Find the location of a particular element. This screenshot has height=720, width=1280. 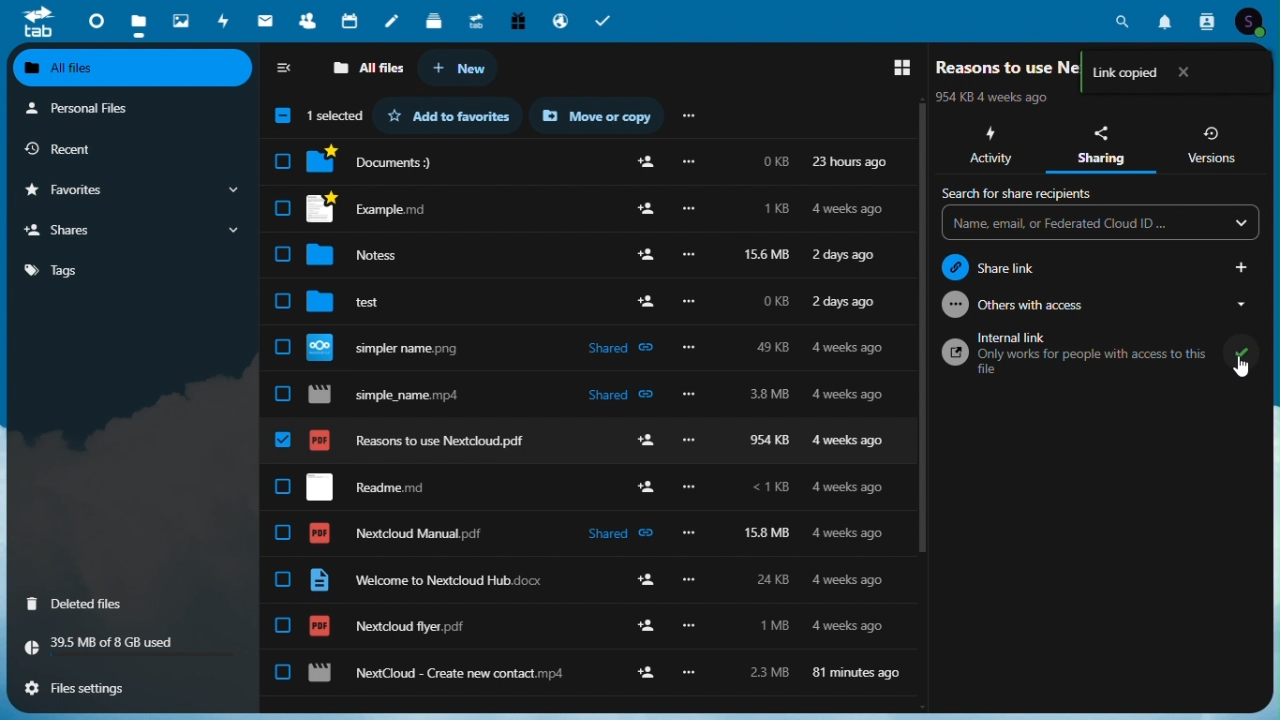

 add user is located at coordinates (648, 674).